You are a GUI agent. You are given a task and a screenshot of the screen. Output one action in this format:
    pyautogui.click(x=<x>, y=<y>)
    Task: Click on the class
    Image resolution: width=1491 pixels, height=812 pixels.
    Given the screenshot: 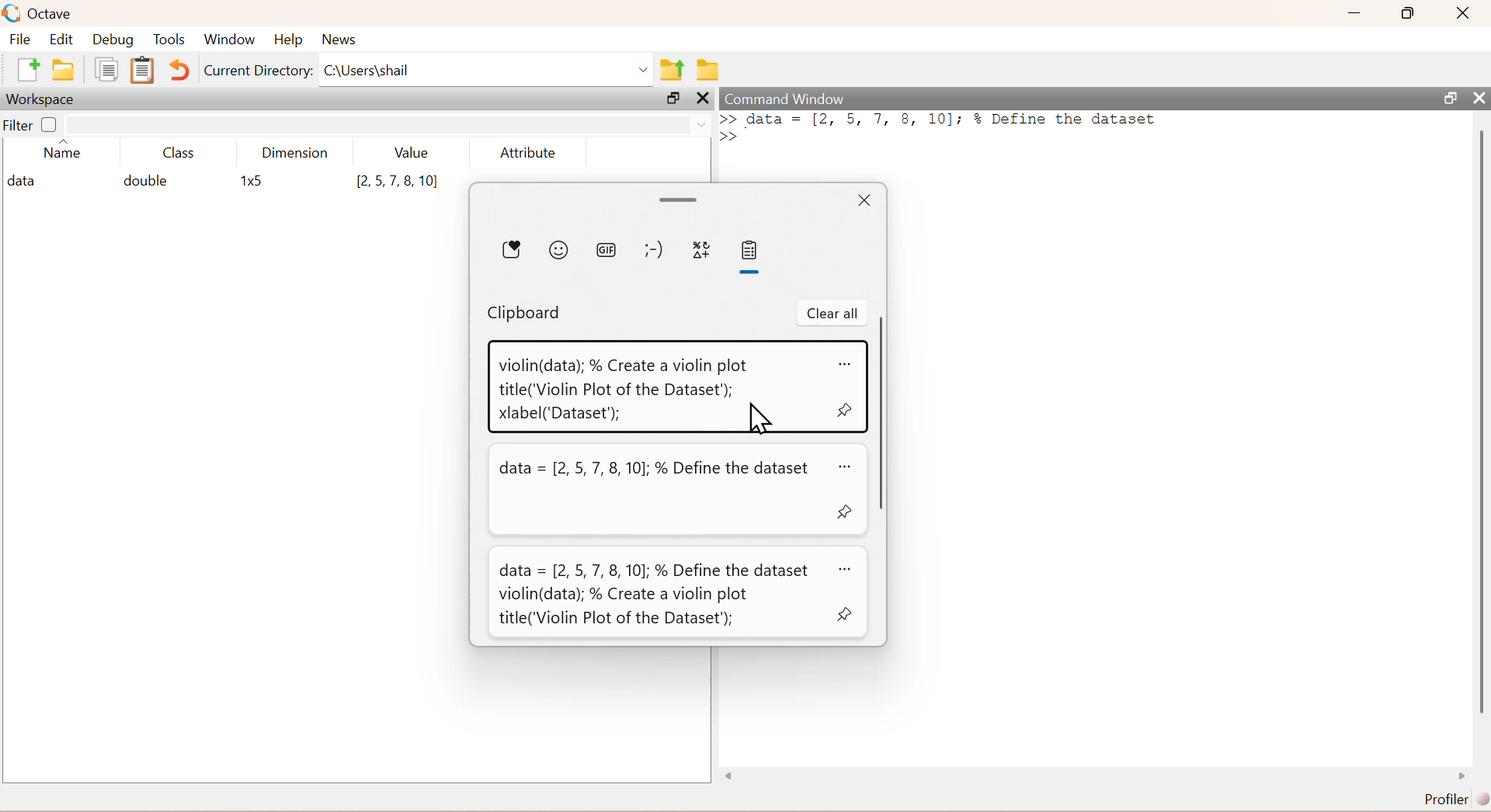 What is the action you would take?
    pyautogui.click(x=180, y=154)
    